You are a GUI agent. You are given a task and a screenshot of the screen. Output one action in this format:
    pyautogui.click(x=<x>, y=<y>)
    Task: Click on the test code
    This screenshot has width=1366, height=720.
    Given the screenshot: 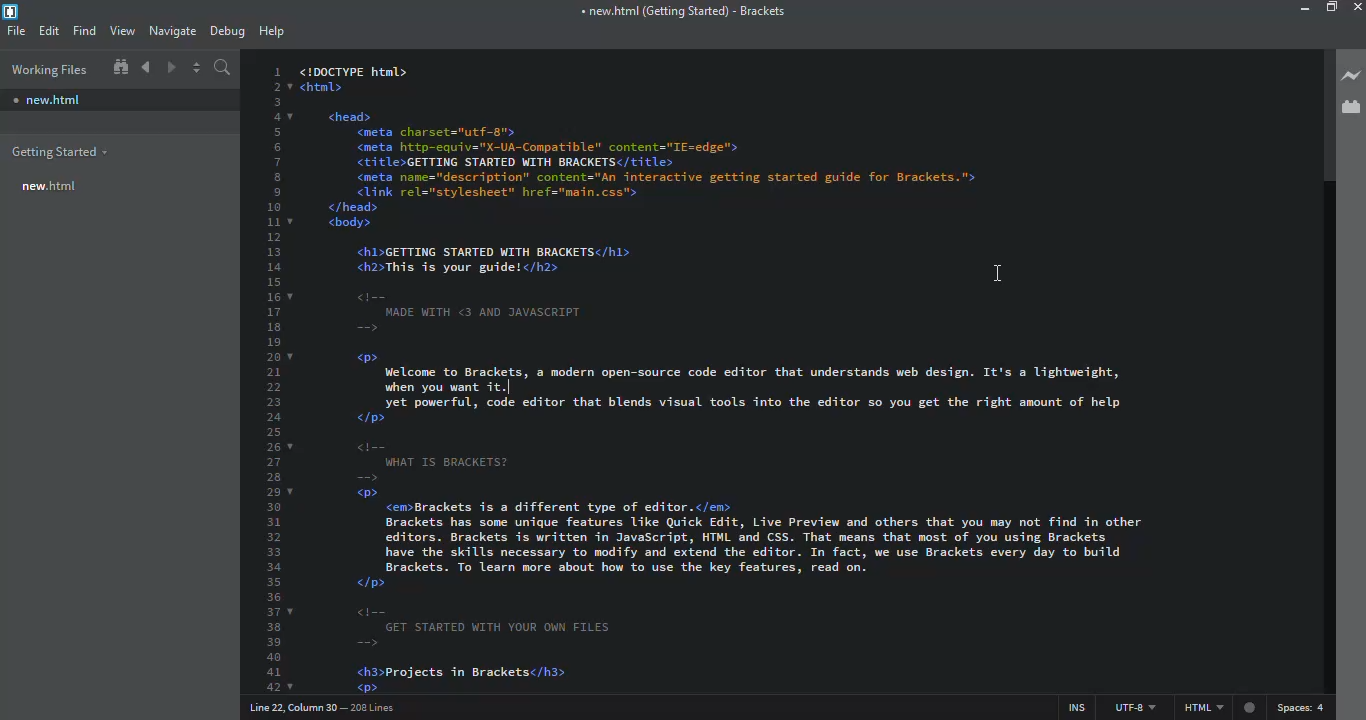 What is the action you would take?
    pyautogui.click(x=796, y=150)
    